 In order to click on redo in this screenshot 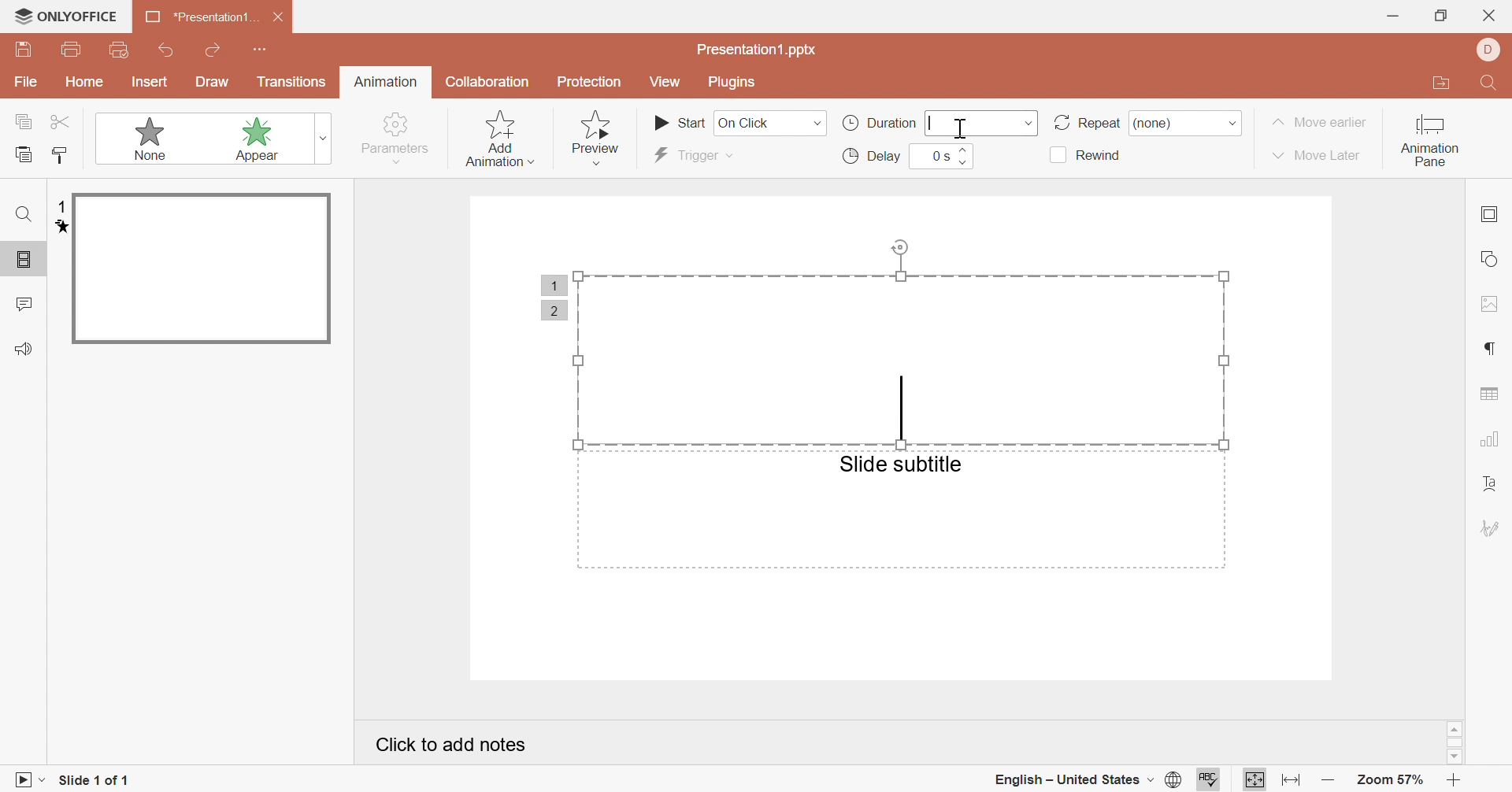, I will do `click(215, 49)`.